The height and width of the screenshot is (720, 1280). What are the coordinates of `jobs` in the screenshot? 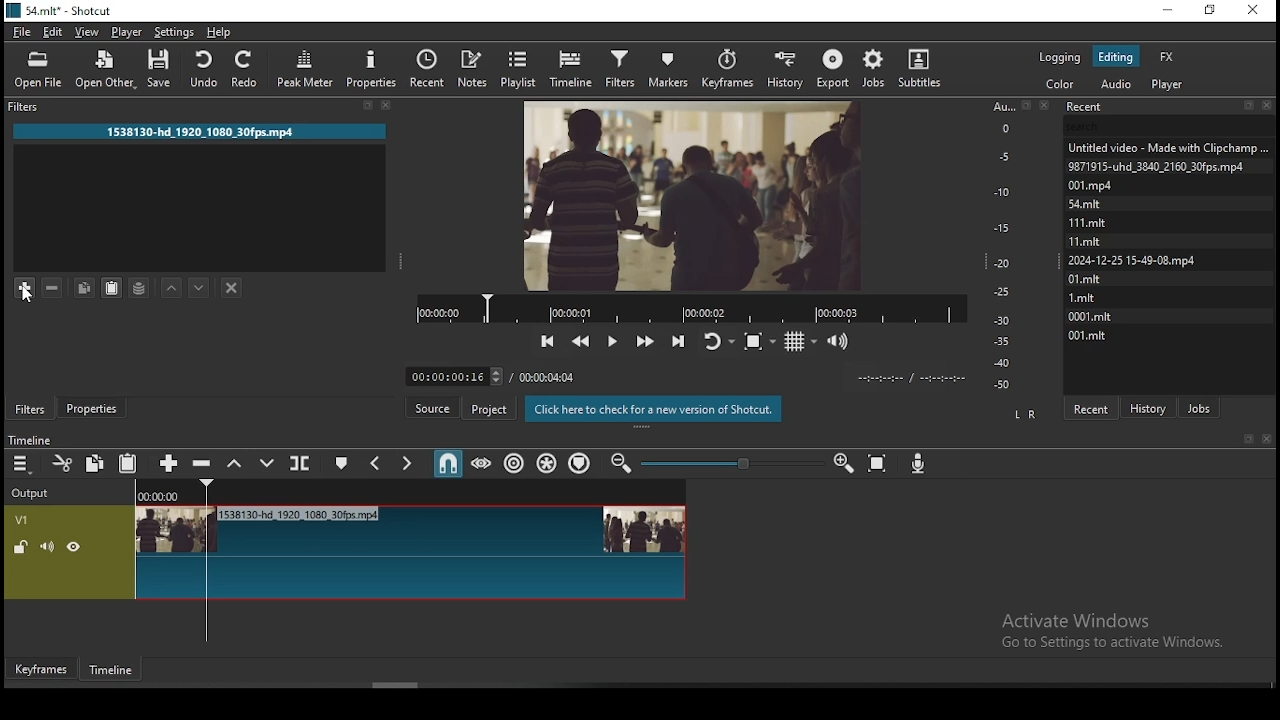 It's located at (1197, 406).